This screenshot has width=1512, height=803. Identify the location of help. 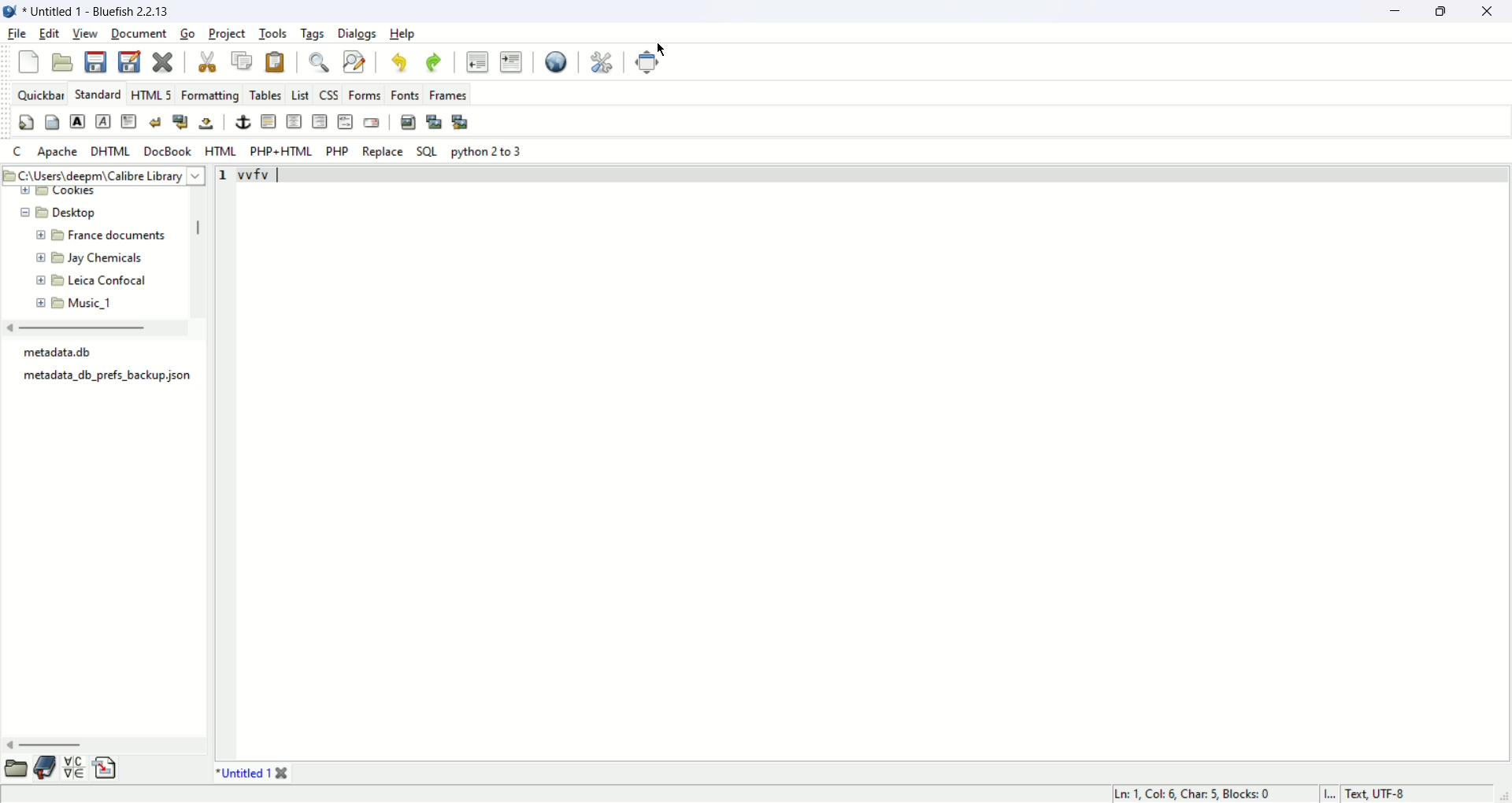
(405, 34).